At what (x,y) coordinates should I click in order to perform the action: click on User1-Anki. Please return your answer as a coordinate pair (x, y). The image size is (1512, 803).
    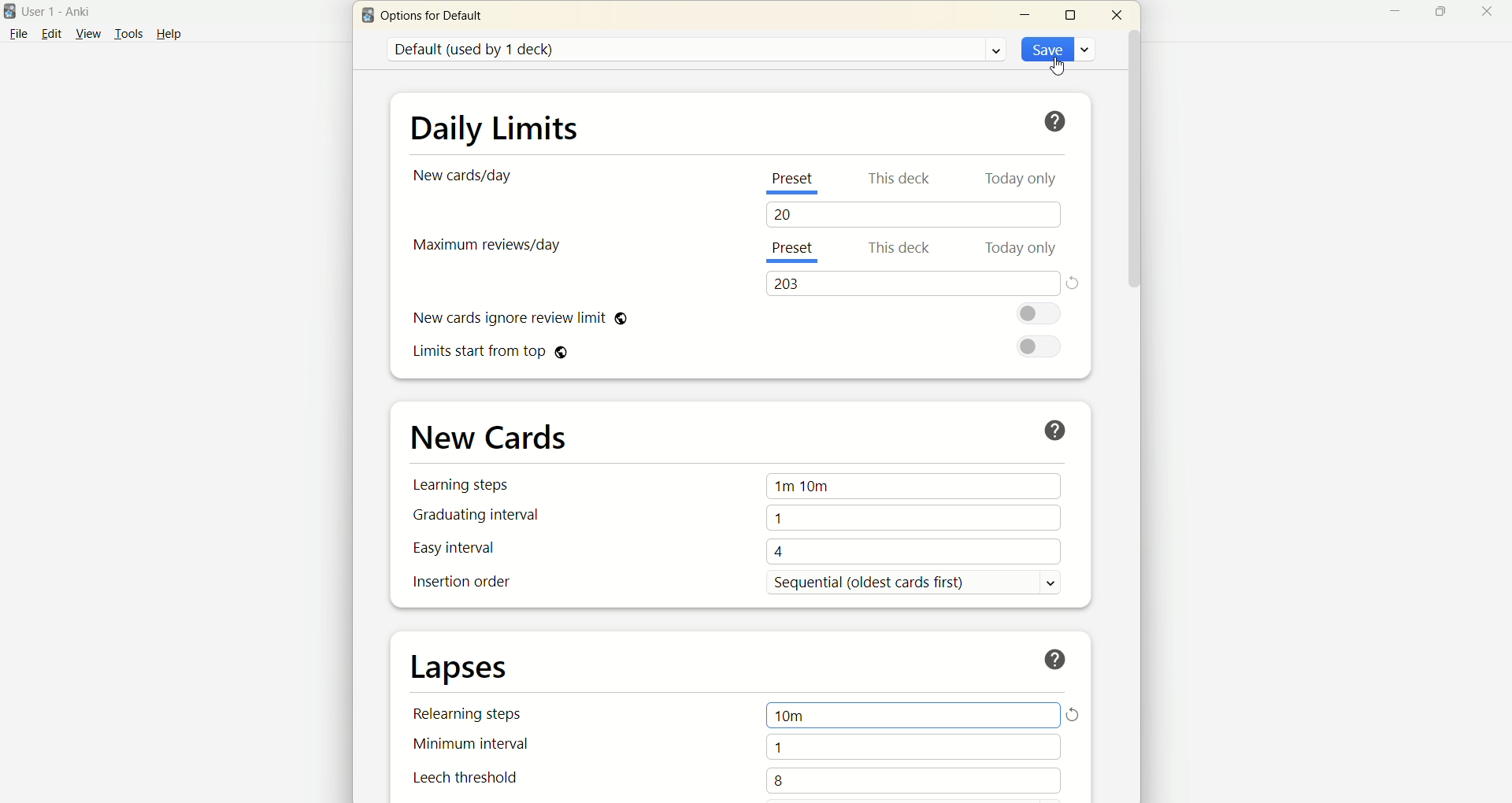
    Looking at the image, I should click on (65, 10).